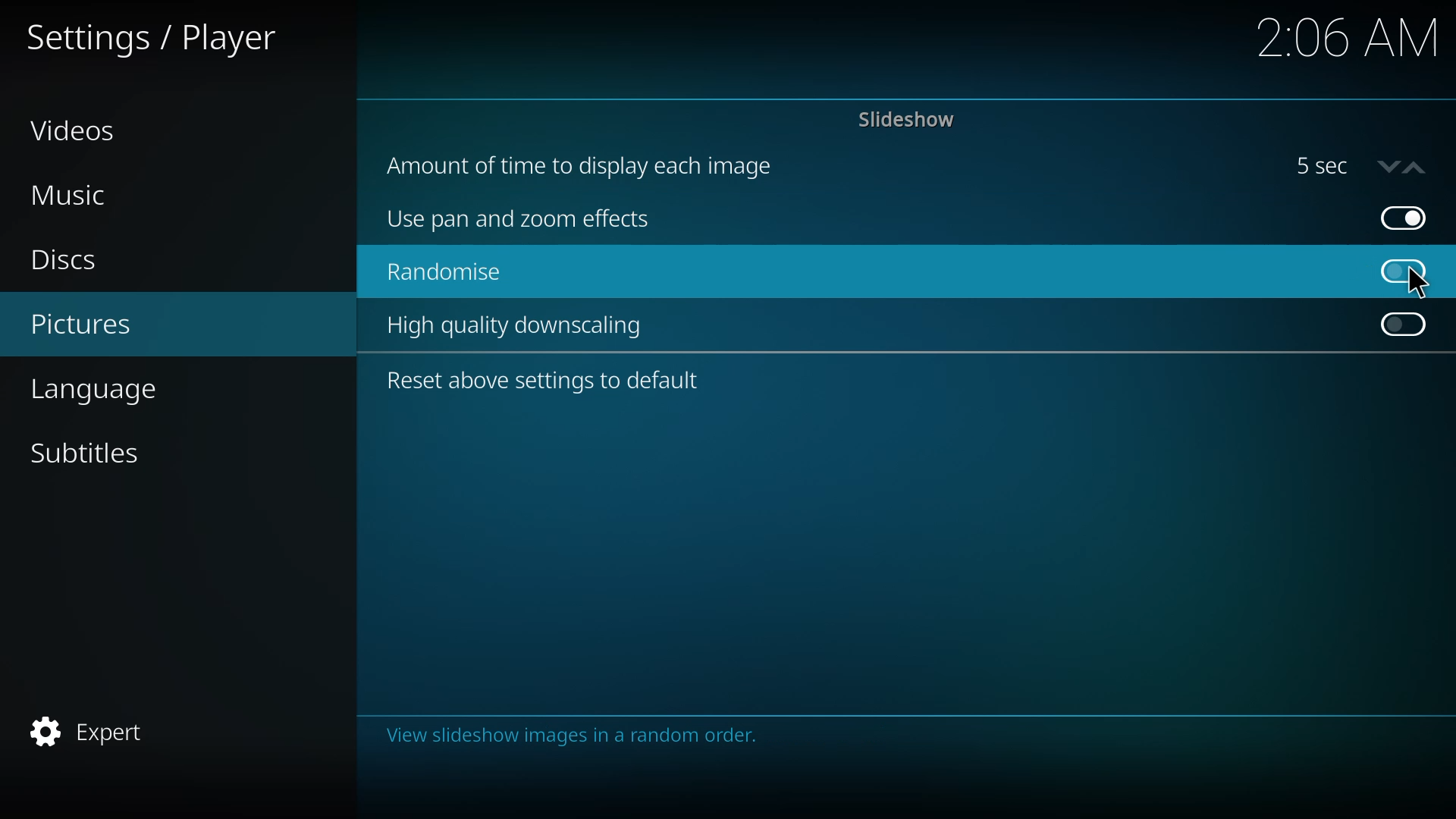  I want to click on discs, so click(66, 257).